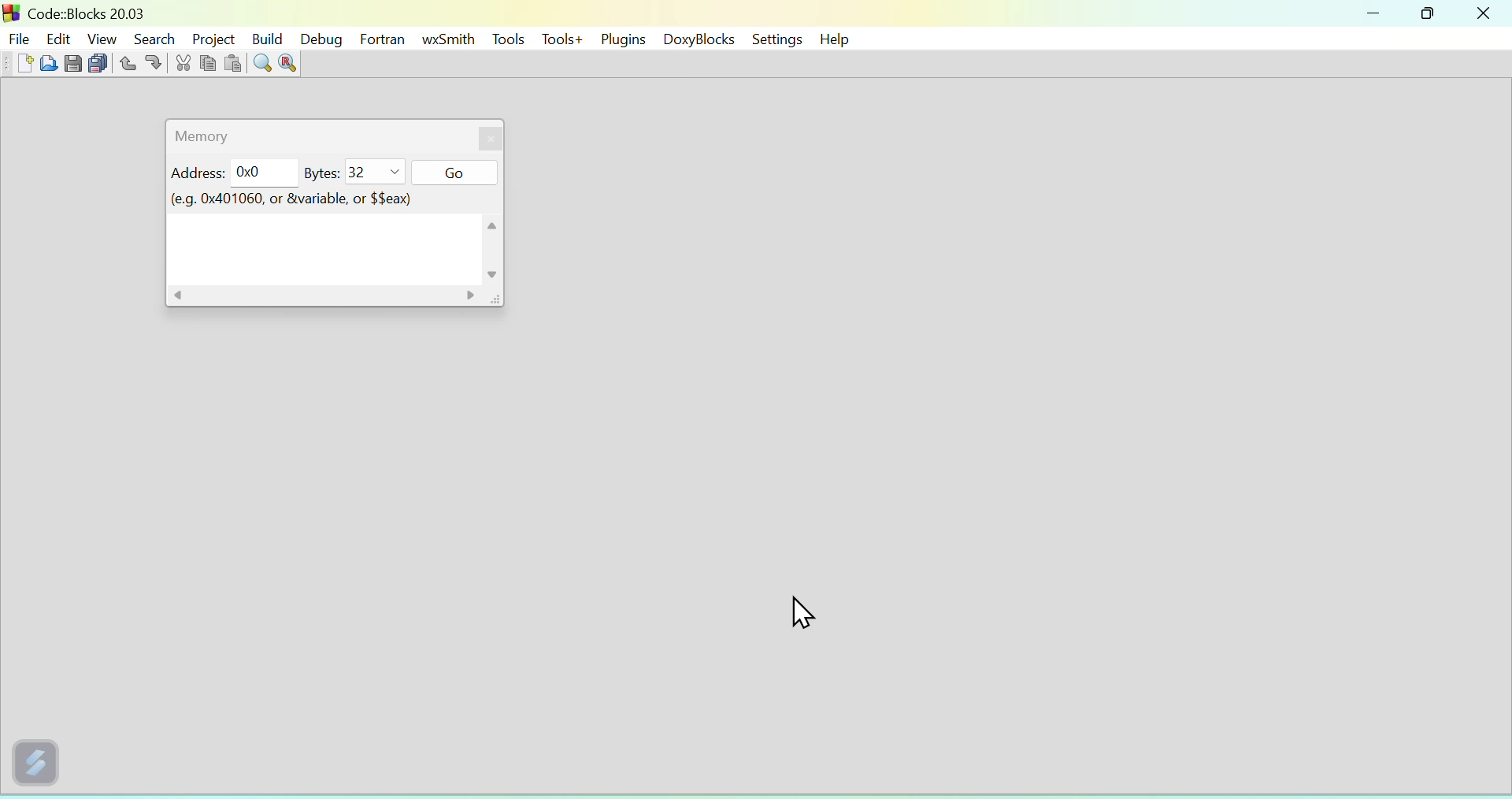 The height and width of the screenshot is (799, 1512). What do you see at coordinates (558, 38) in the screenshot?
I see `Tools+` at bounding box center [558, 38].